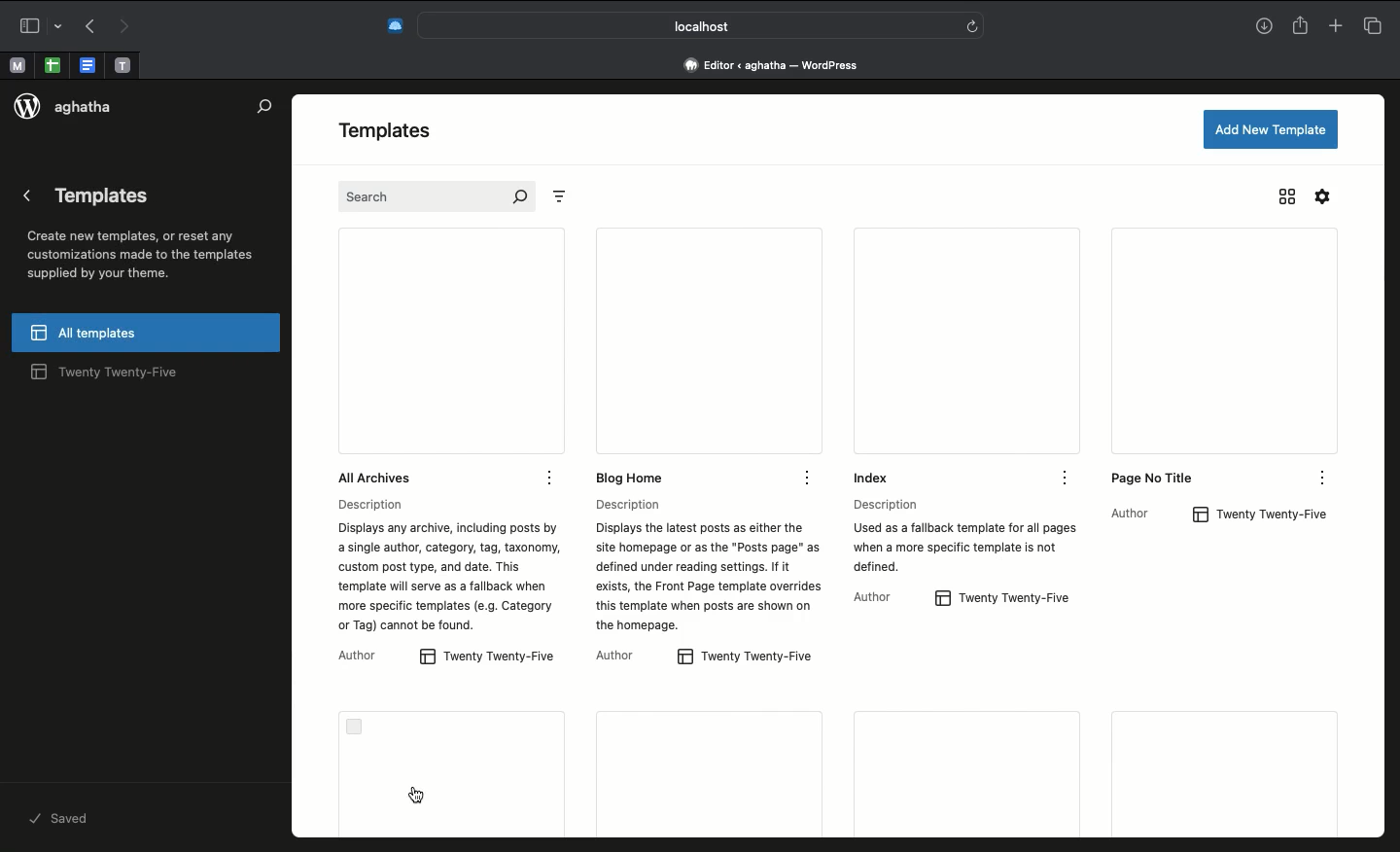  I want to click on Sidebar, so click(37, 25).